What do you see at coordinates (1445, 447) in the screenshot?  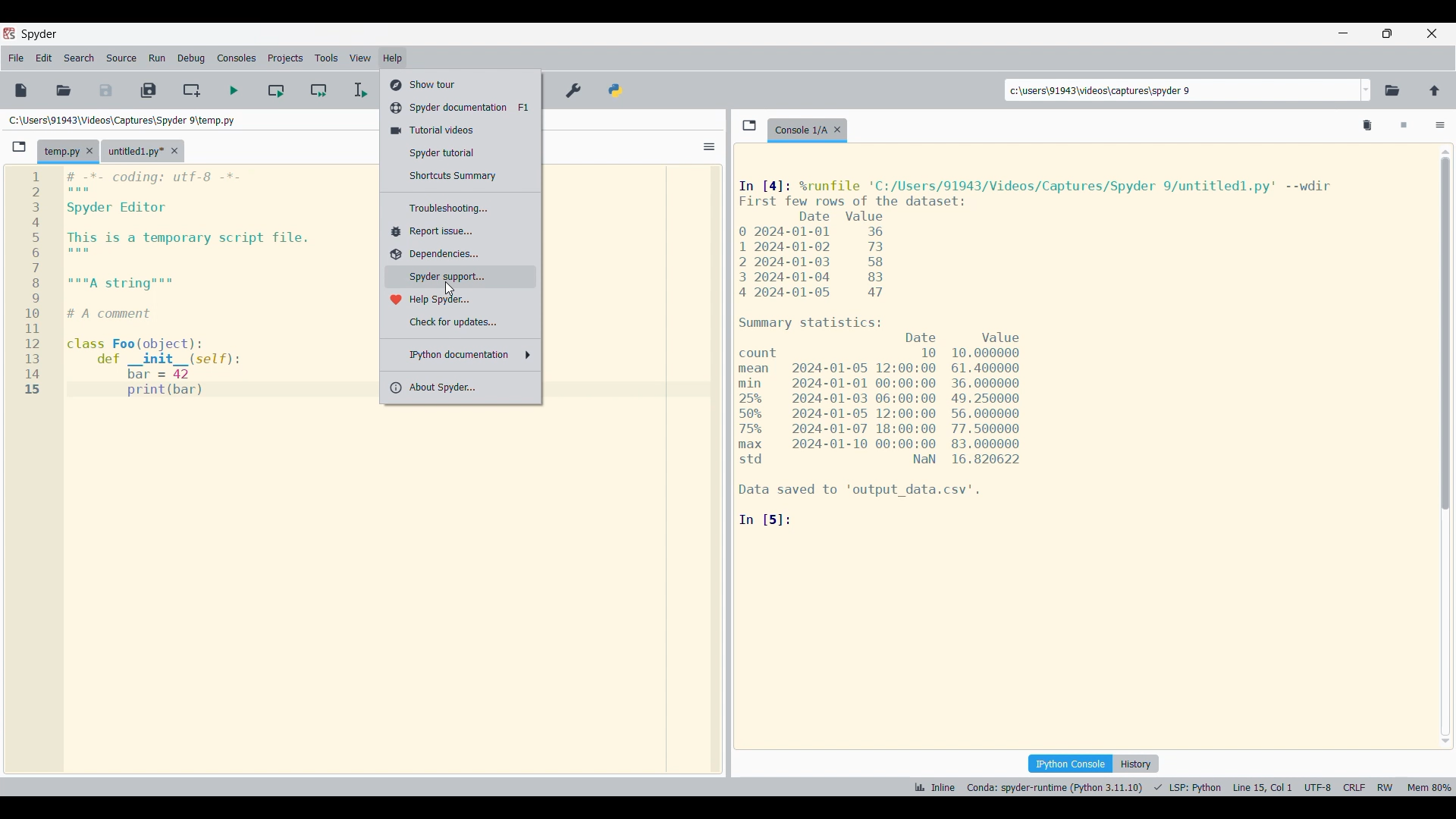 I see `scrollbar` at bounding box center [1445, 447].